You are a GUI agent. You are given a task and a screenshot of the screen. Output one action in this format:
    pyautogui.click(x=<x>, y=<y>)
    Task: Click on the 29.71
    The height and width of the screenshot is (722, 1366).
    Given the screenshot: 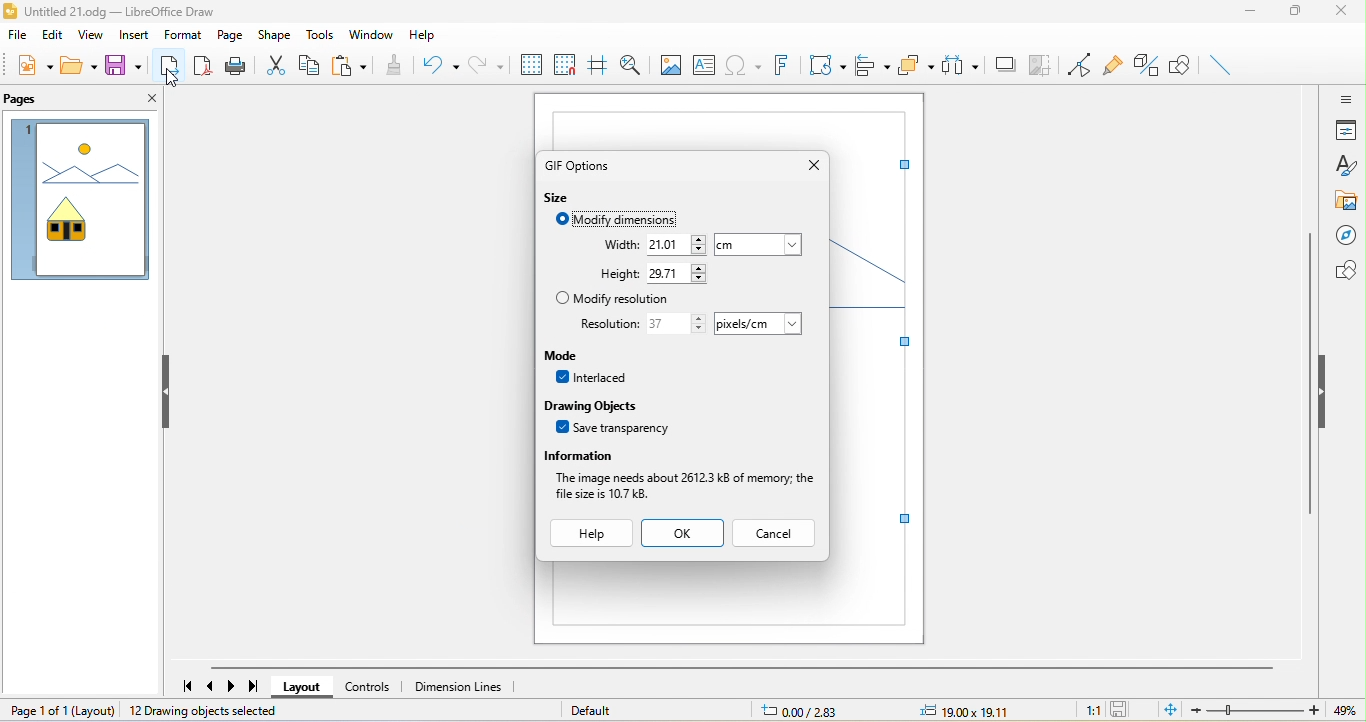 What is the action you would take?
    pyautogui.click(x=677, y=275)
    